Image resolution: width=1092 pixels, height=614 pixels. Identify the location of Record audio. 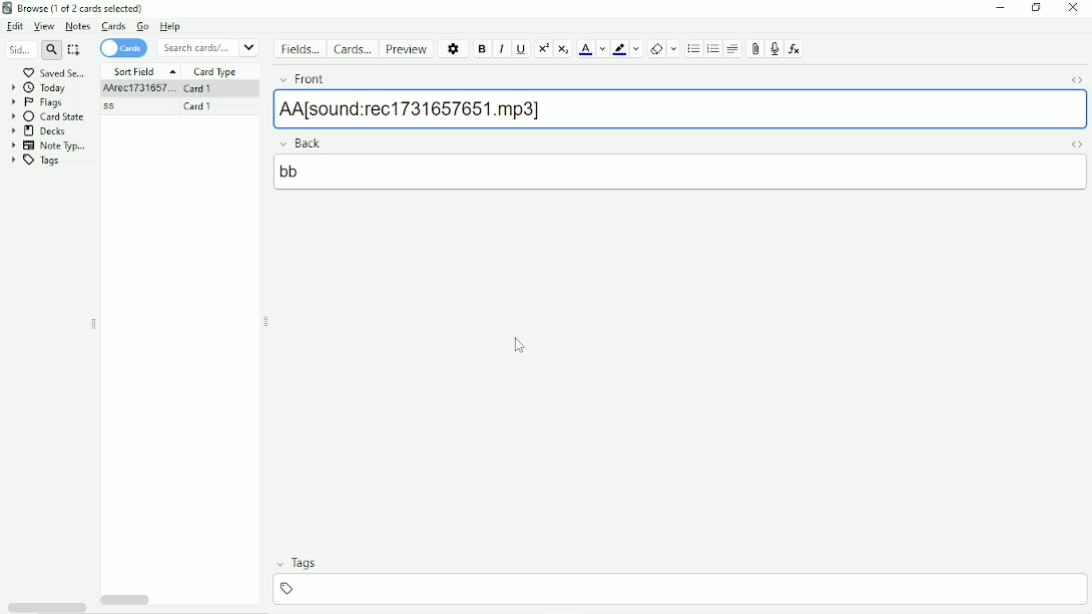
(772, 49).